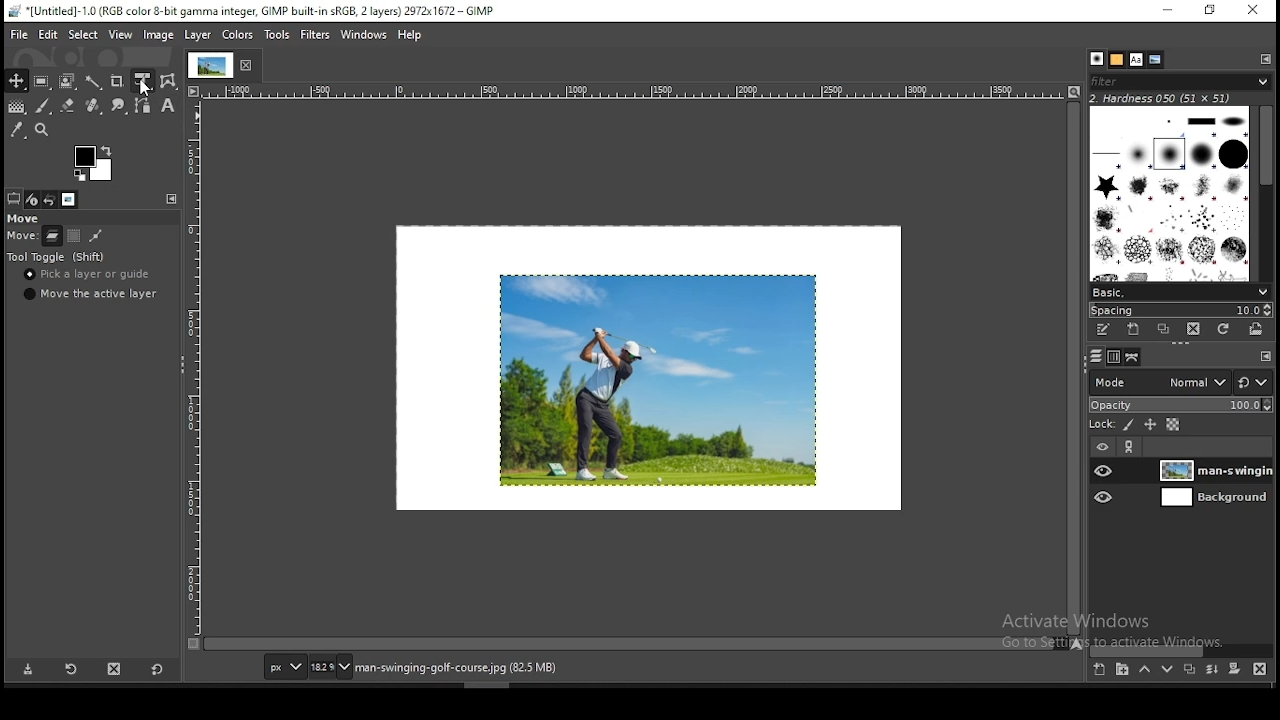 Image resolution: width=1280 pixels, height=720 pixels. Describe the element at coordinates (119, 81) in the screenshot. I see `crop tool` at that location.